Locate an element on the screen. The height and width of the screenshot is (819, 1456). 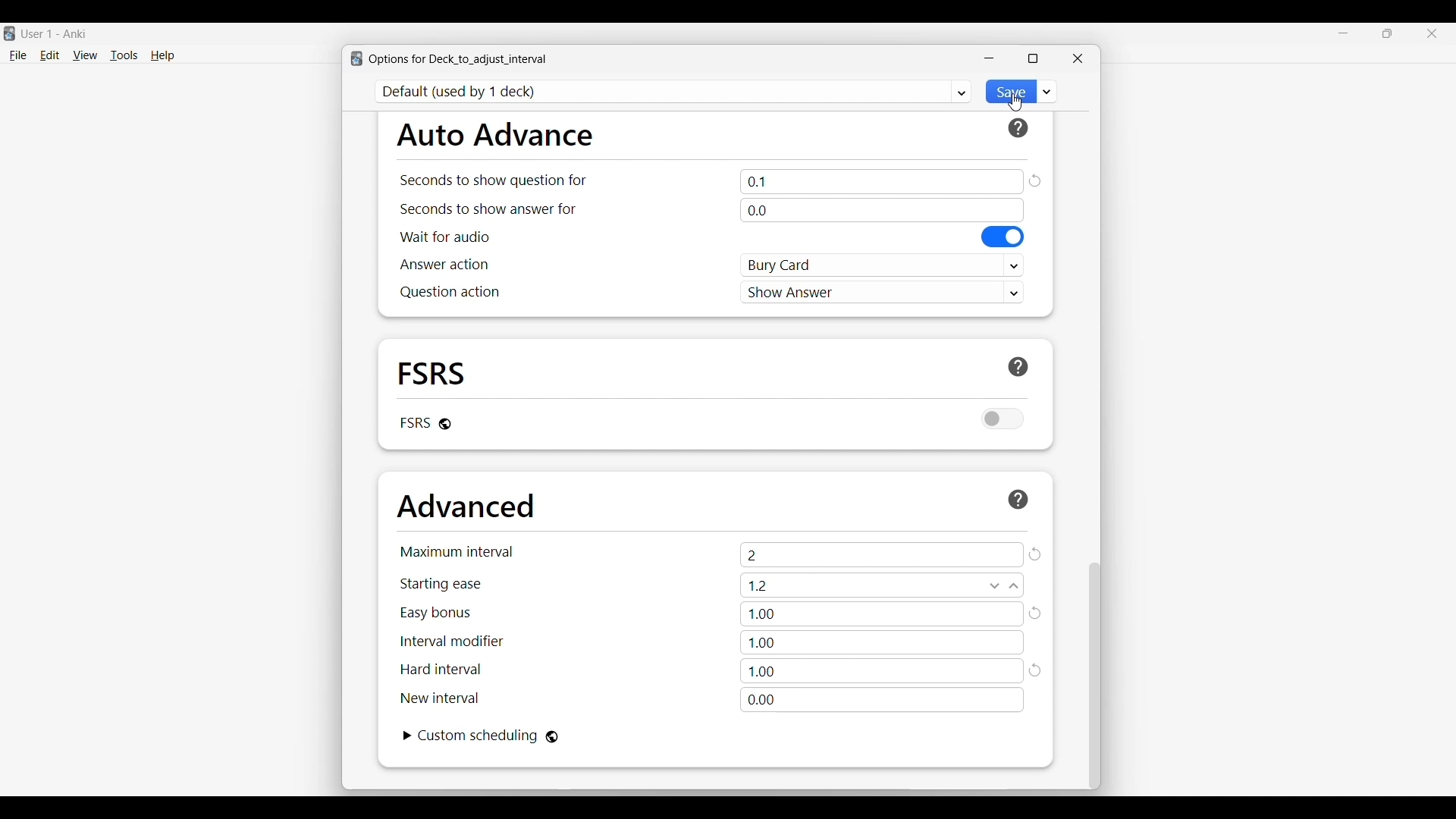
Edit menu is located at coordinates (50, 56).